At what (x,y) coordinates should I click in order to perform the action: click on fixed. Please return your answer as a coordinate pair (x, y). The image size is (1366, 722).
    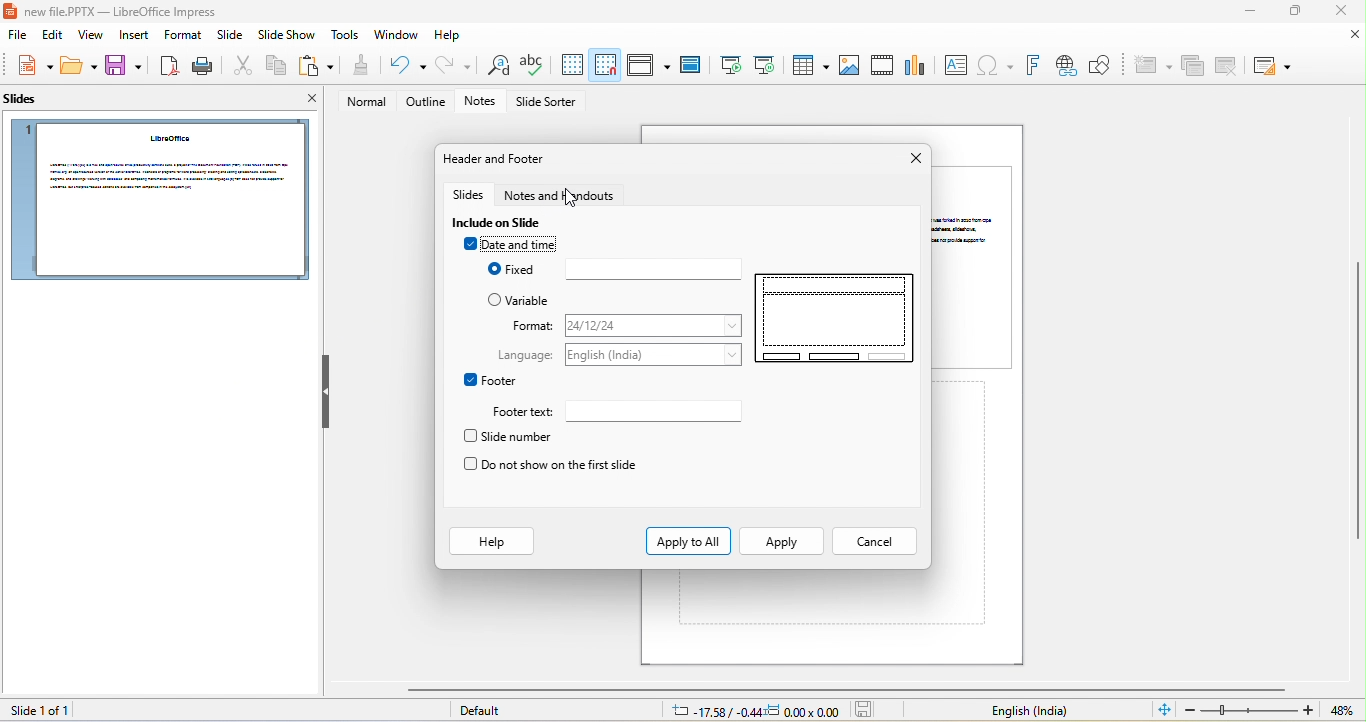
    Looking at the image, I should click on (611, 270).